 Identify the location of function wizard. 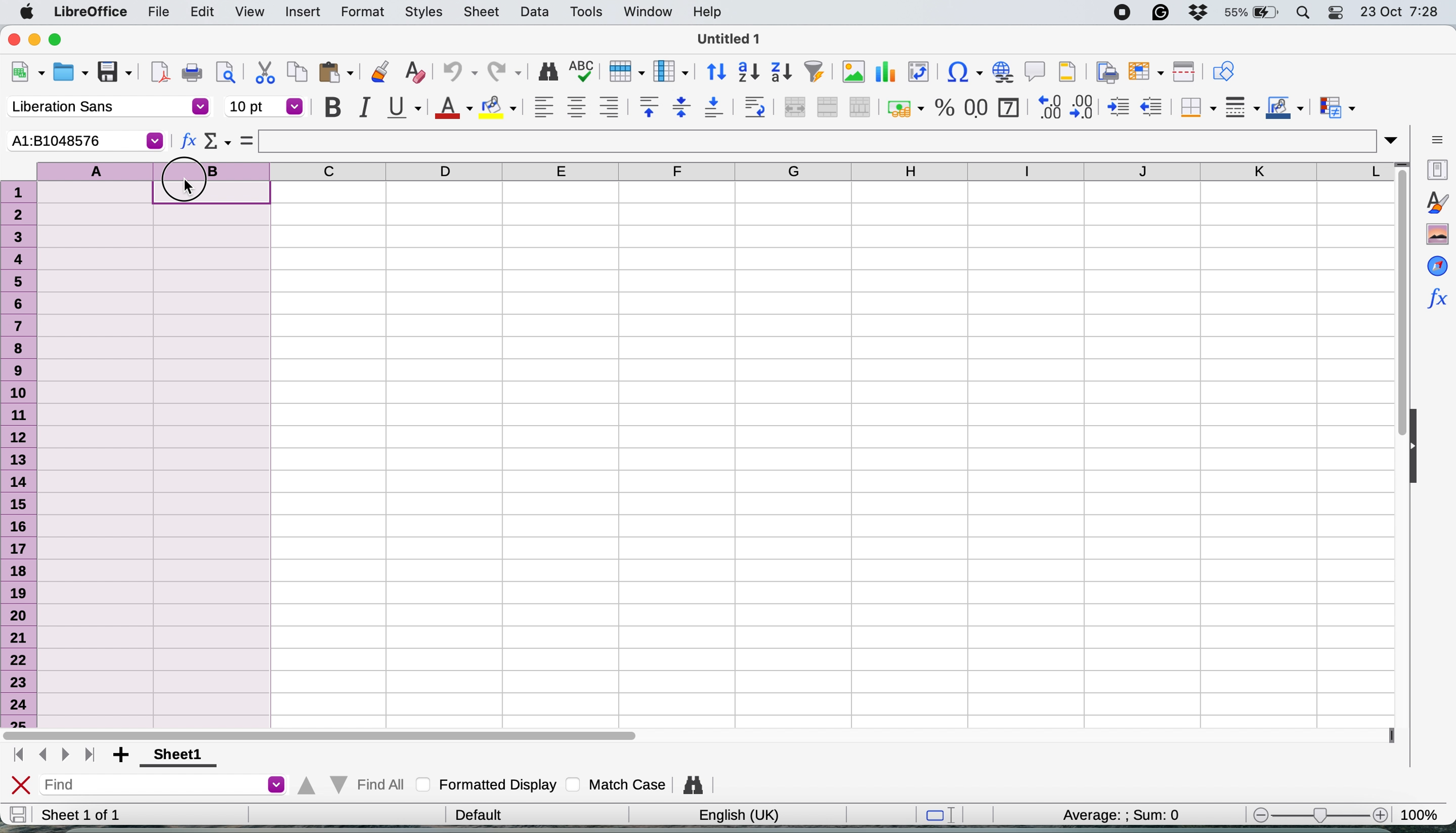
(1436, 298).